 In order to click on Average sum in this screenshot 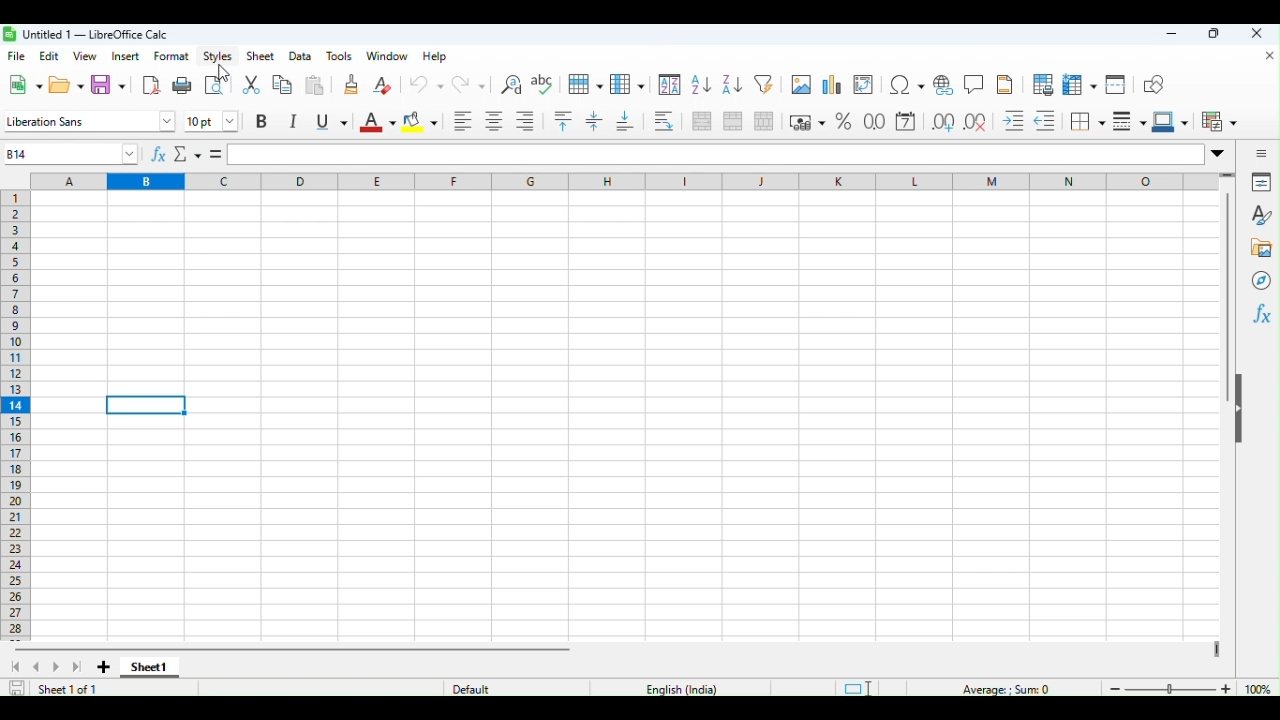, I will do `click(994, 688)`.